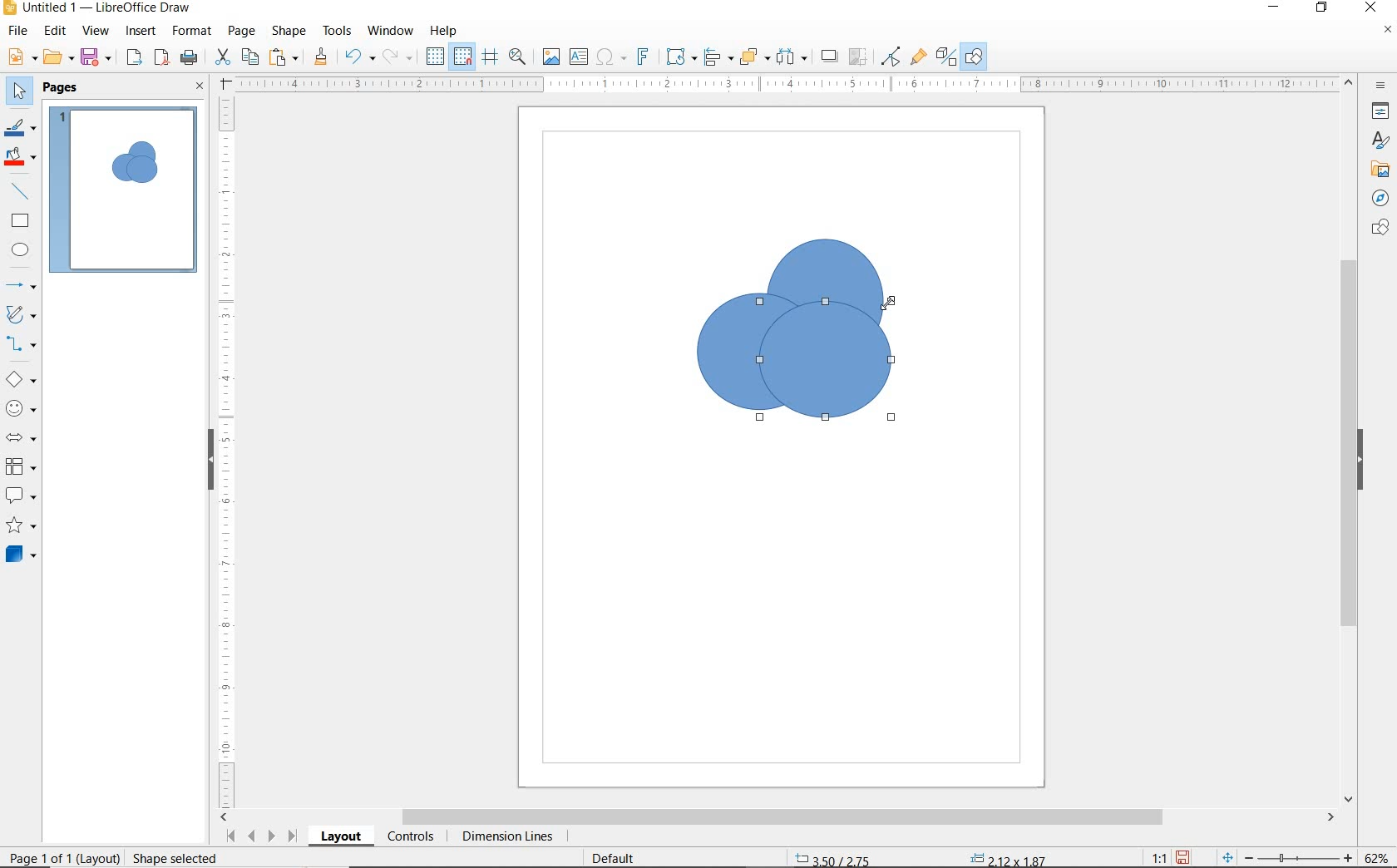 The height and width of the screenshot is (868, 1397). What do you see at coordinates (1381, 86) in the screenshot?
I see `SIDEBAR SETTINGS` at bounding box center [1381, 86].